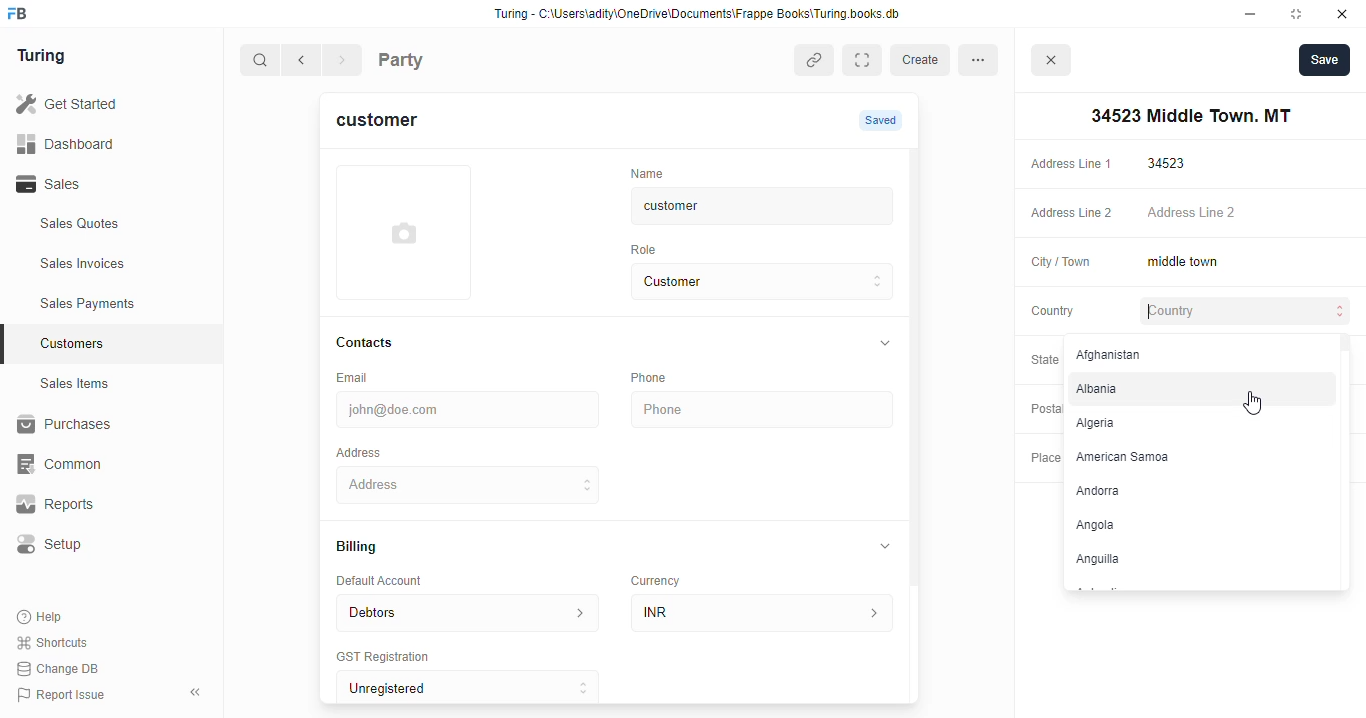  What do you see at coordinates (402, 232) in the screenshot?
I see `add profile photo` at bounding box center [402, 232].